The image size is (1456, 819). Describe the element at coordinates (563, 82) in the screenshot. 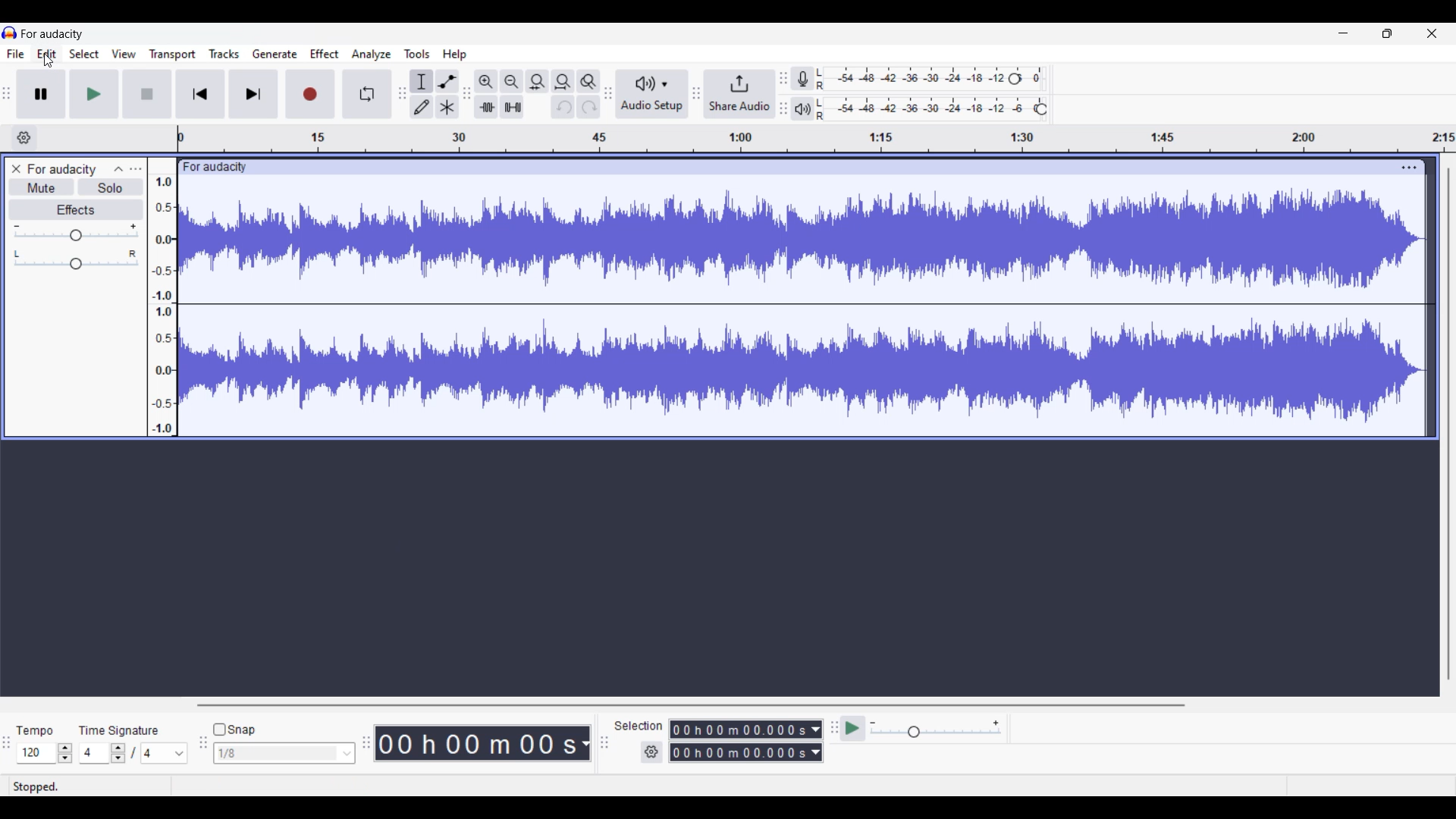

I see `Fit project to width` at that location.